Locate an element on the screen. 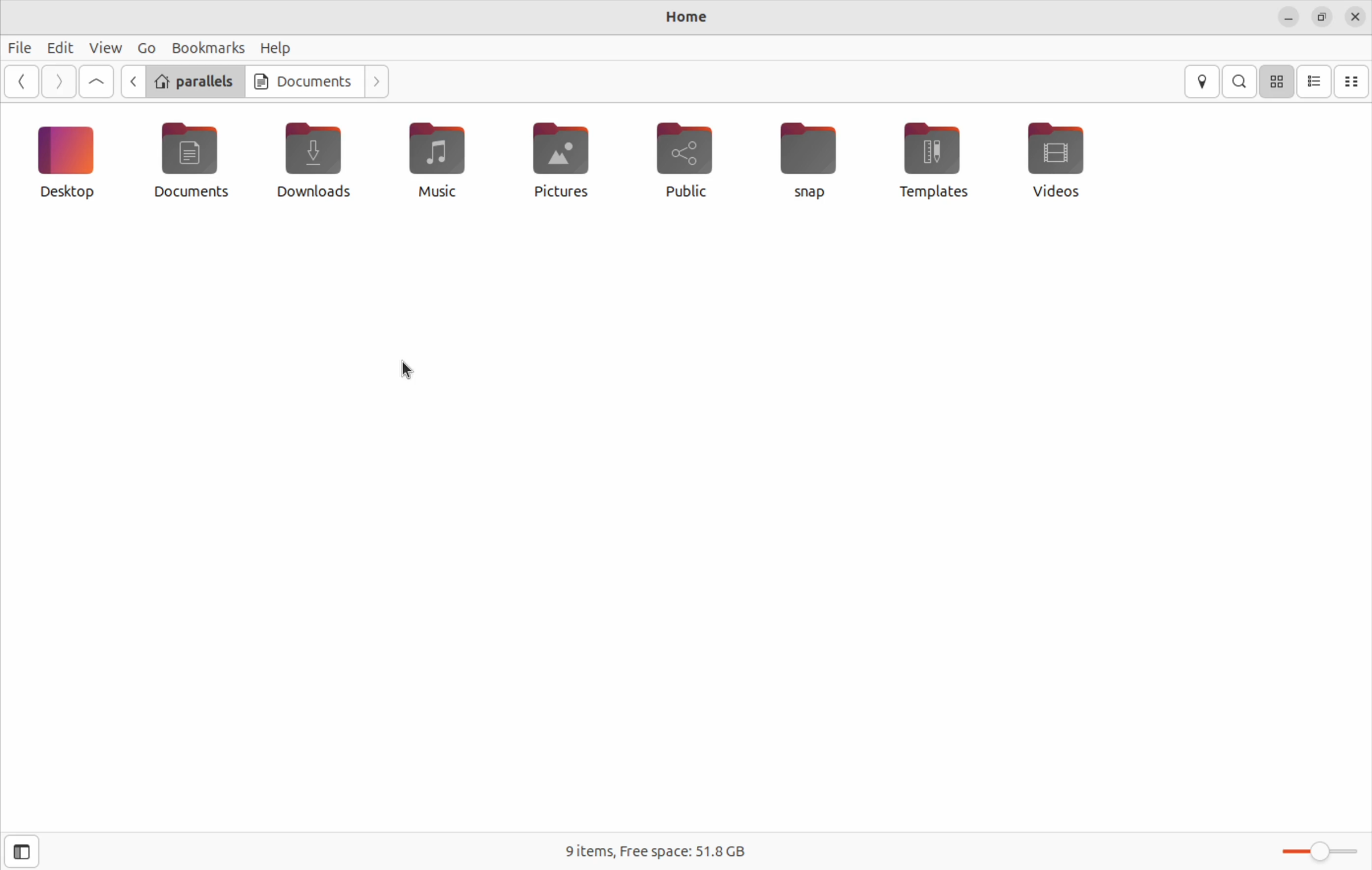 The width and height of the screenshot is (1372, 870). cursor is located at coordinates (407, 370).